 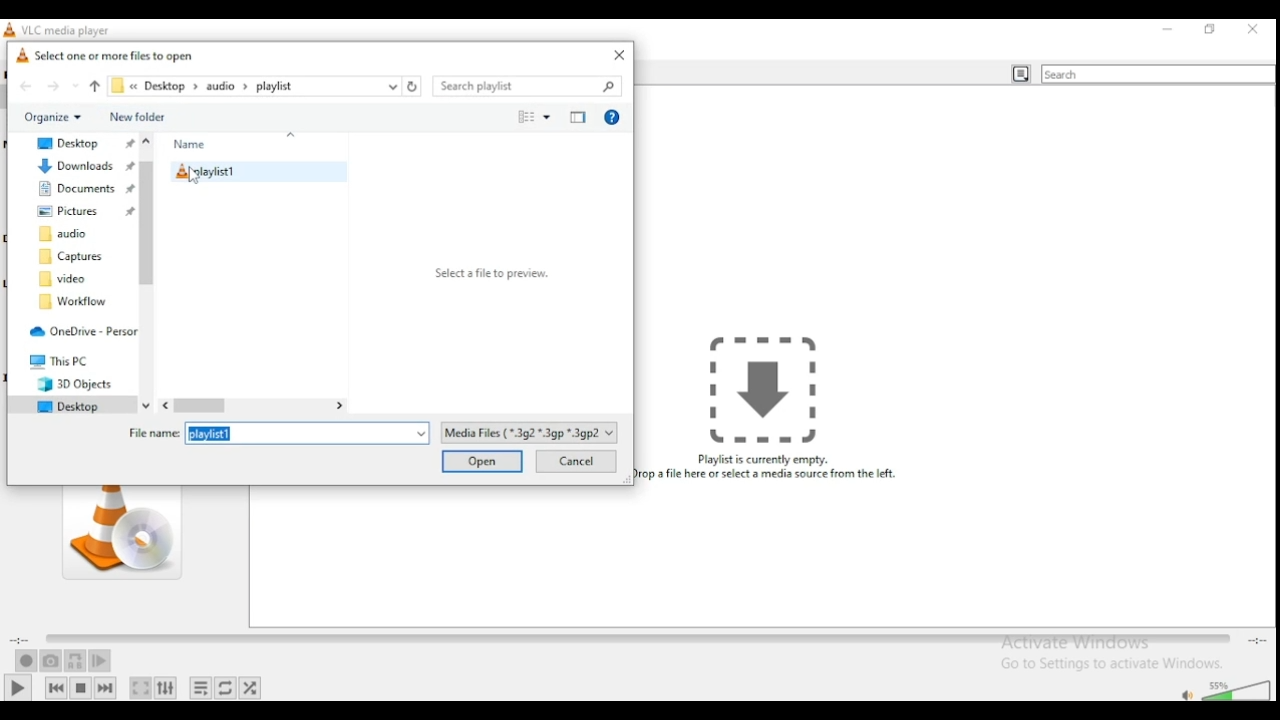 What do you see at coordinates (78, 302) in the screenshot?
I see `workflow` at bounding box center [78, 302].